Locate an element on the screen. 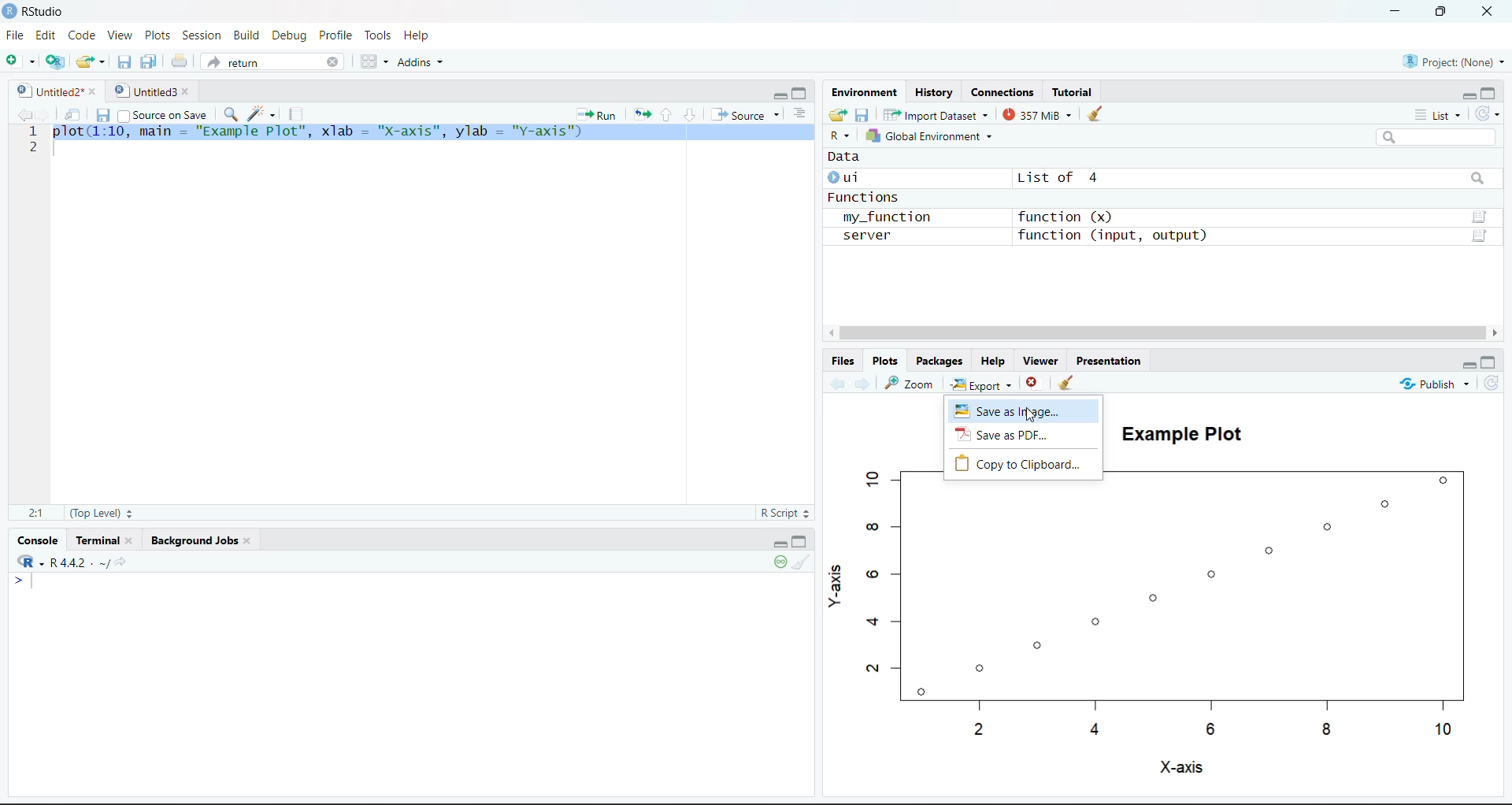 This screenshot has height=805, width=1512. Show document outline (Ctrl + Shift + O) is located at coordinates (798, 113).